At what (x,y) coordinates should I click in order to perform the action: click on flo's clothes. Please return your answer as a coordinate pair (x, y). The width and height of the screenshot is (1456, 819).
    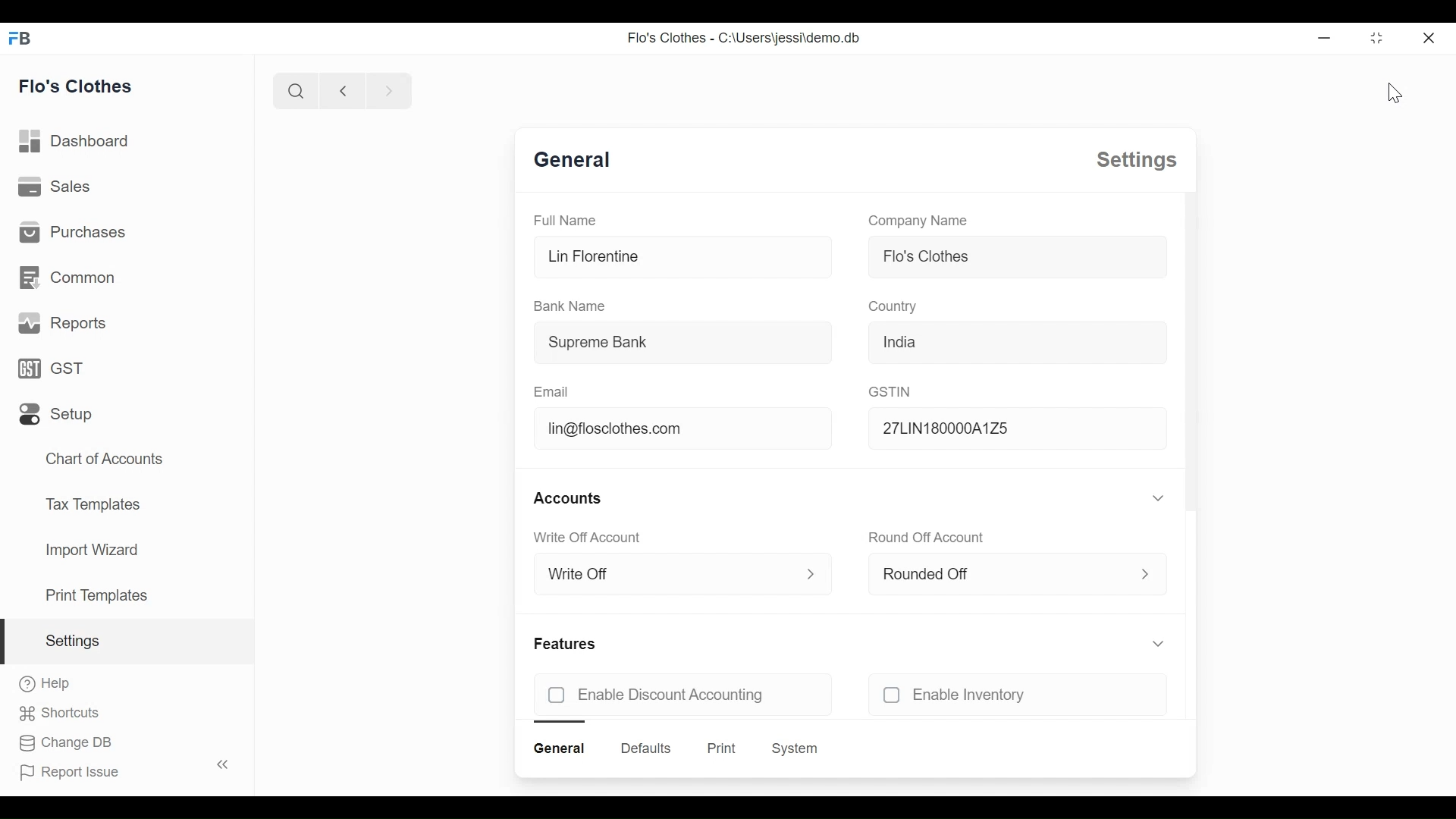
    Looking at the image, I should click on (76, 86).